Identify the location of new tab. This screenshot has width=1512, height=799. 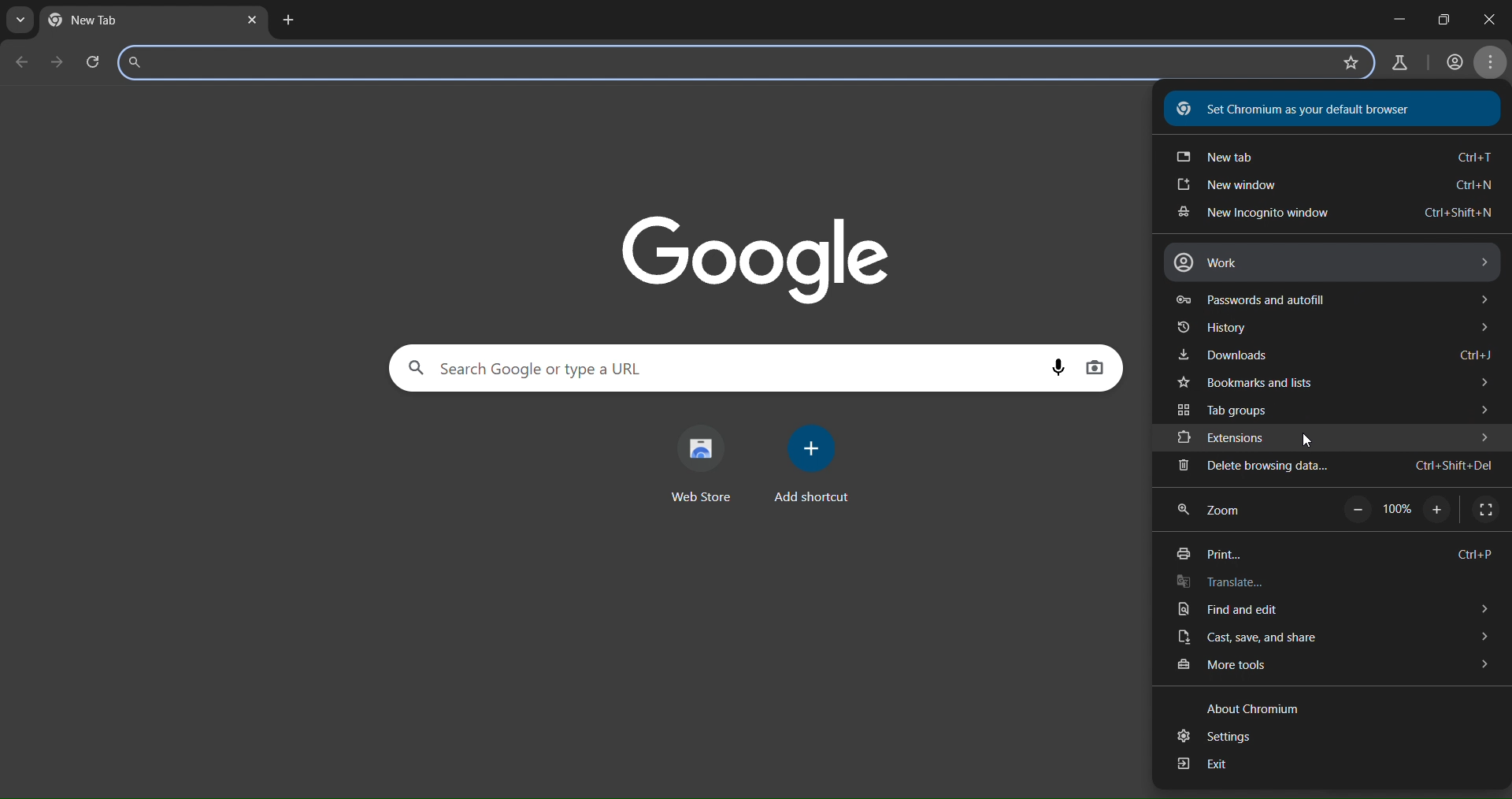
(99, 22).